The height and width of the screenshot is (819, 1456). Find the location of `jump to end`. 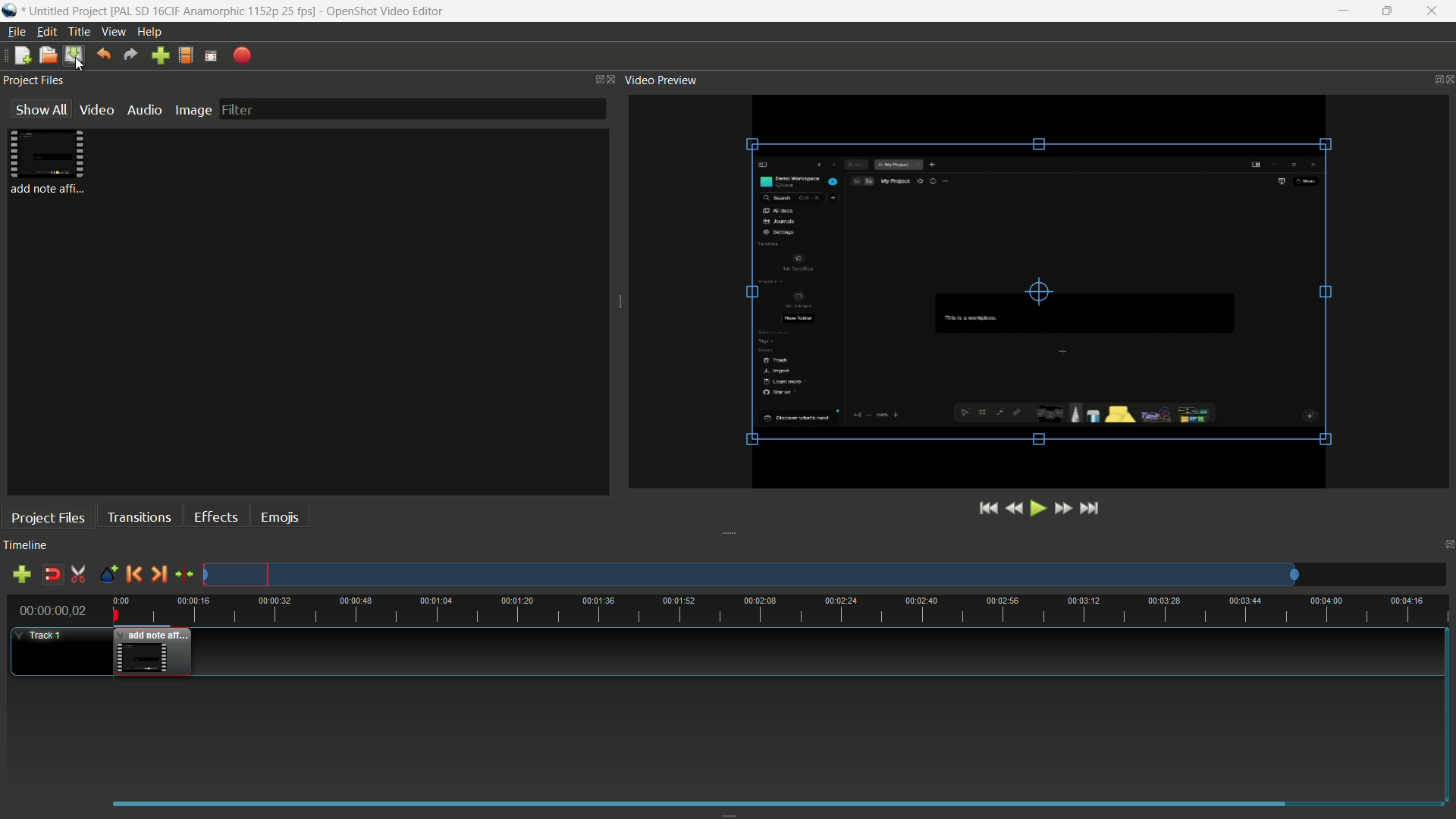

jump to end is located at coordinates (1090, 507).